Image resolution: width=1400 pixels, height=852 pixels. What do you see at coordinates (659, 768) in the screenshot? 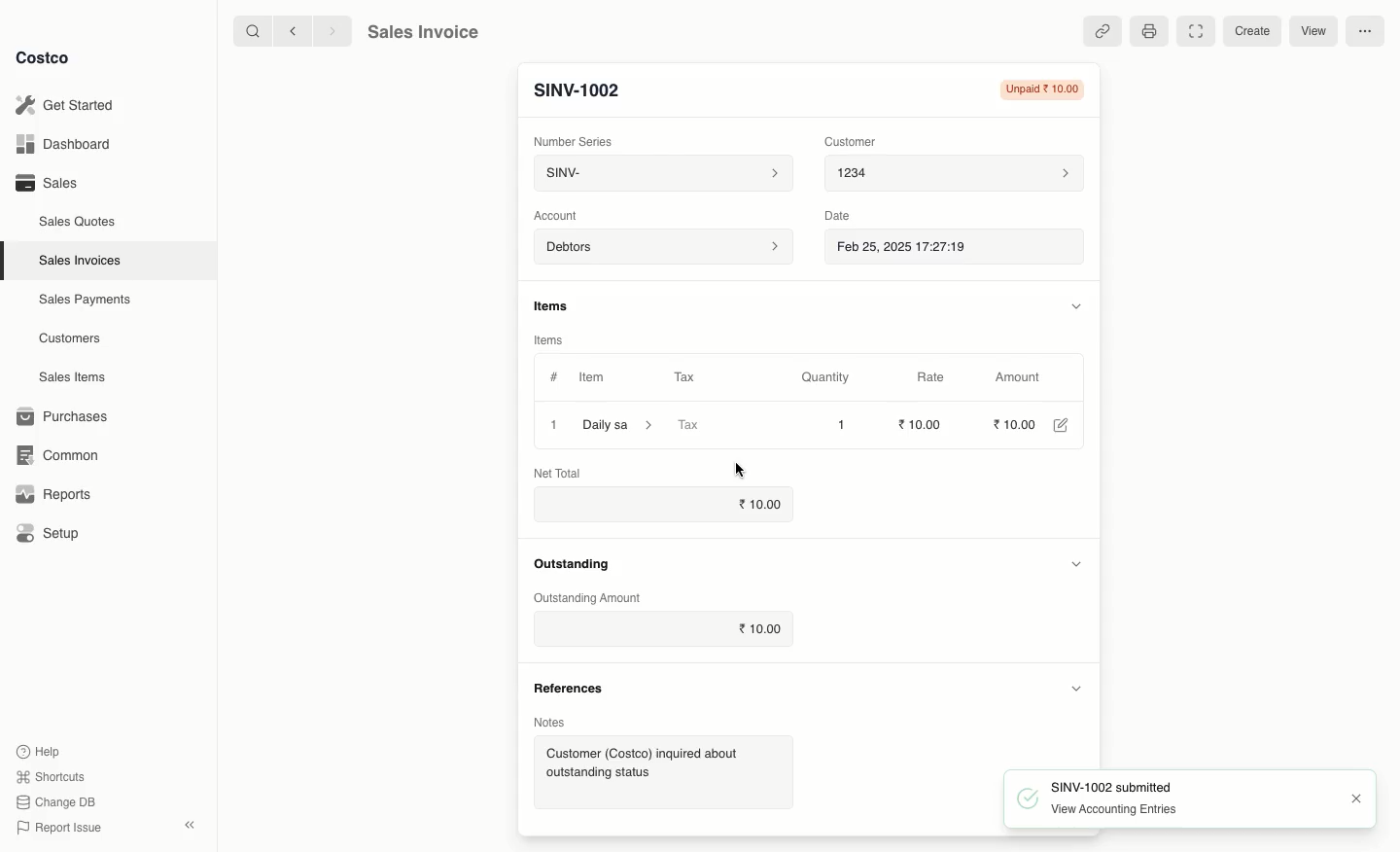
I see `Customer (Costco) inquired about outstanding status` at bounding box center [659, 768].